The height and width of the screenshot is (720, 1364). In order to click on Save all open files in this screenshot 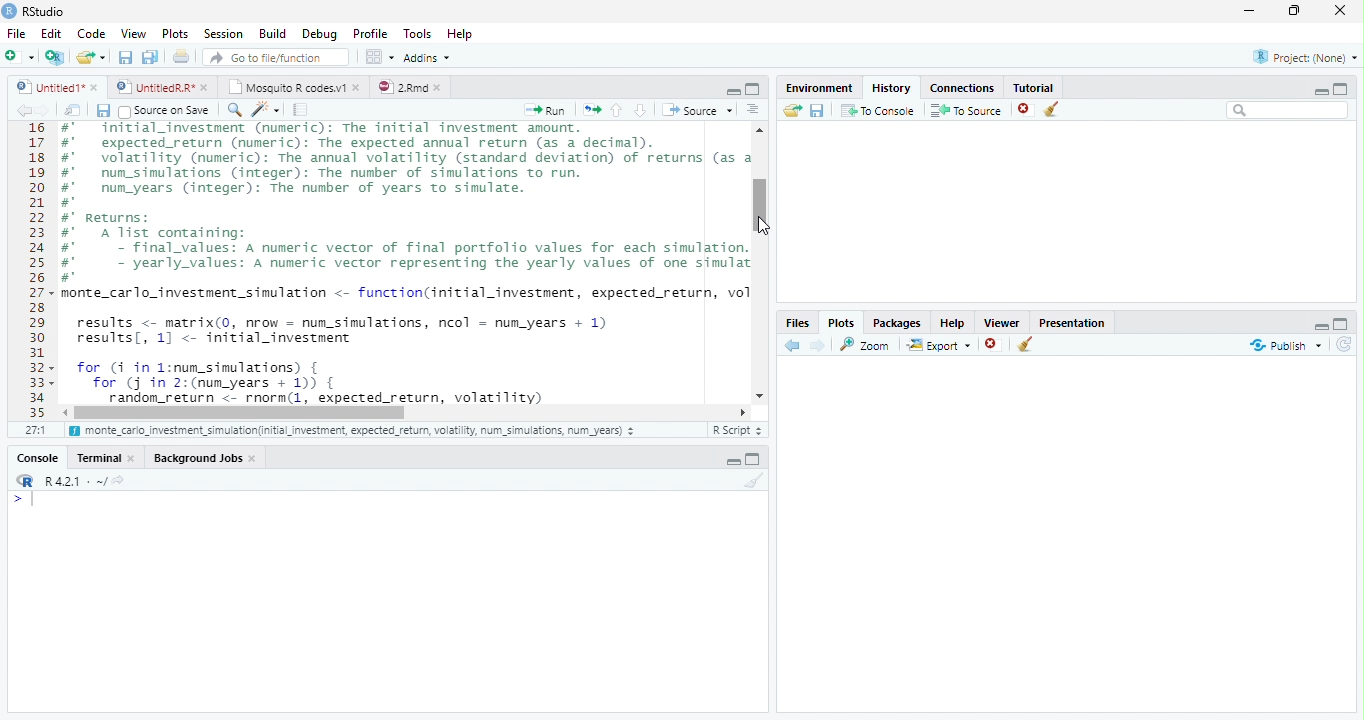, I will do `click(149, 57)`.